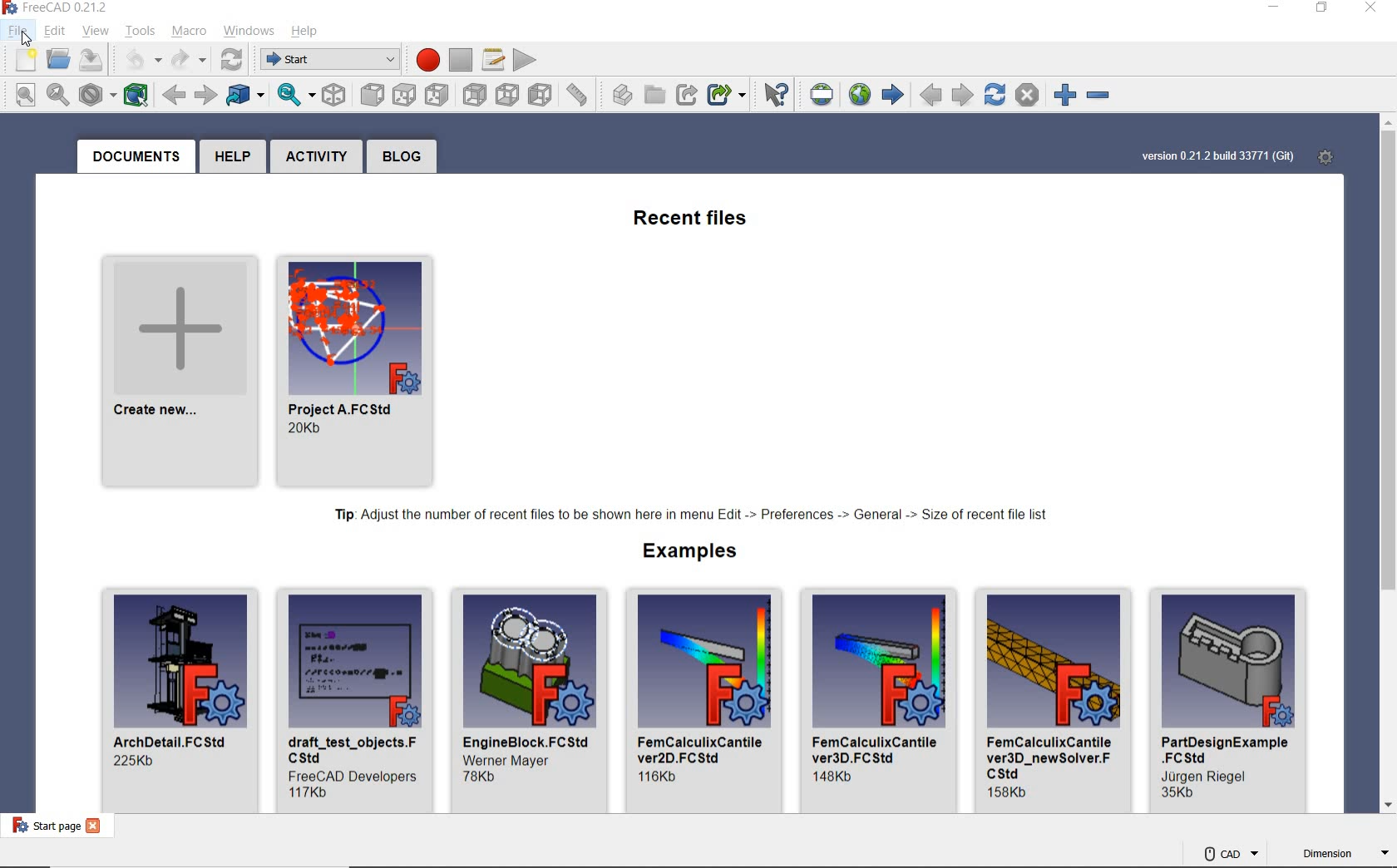 This screenshot has height=868, width=1397. What do you see at coordinates (96, 94) in the screenshot?
I see `DRAW STYLE` at bounding box center [96, 94].